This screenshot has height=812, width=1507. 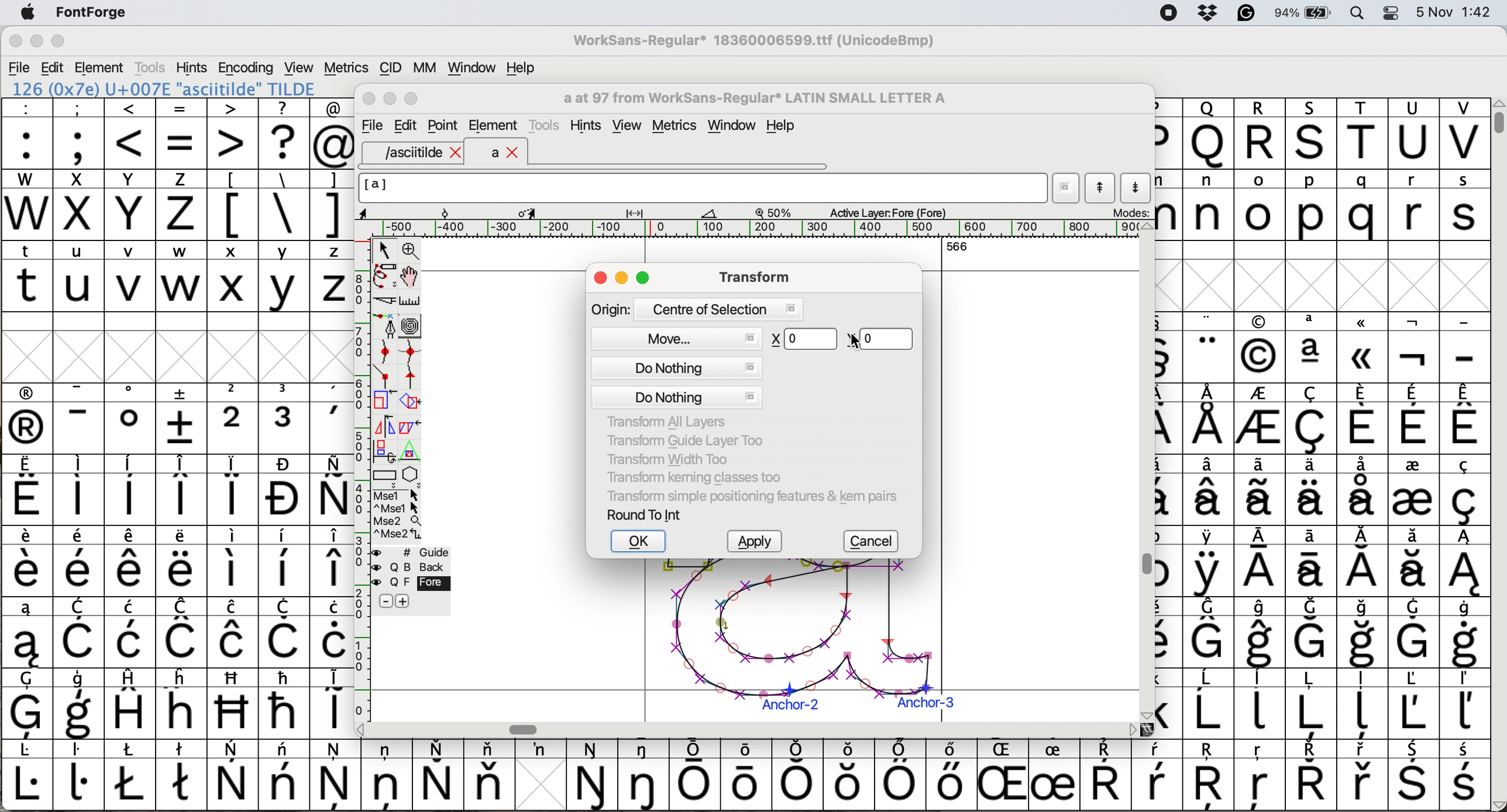 What do you see at coordinates (284, 703) in the screenshot?
I see `symbol` at bounding box center [284, 703].